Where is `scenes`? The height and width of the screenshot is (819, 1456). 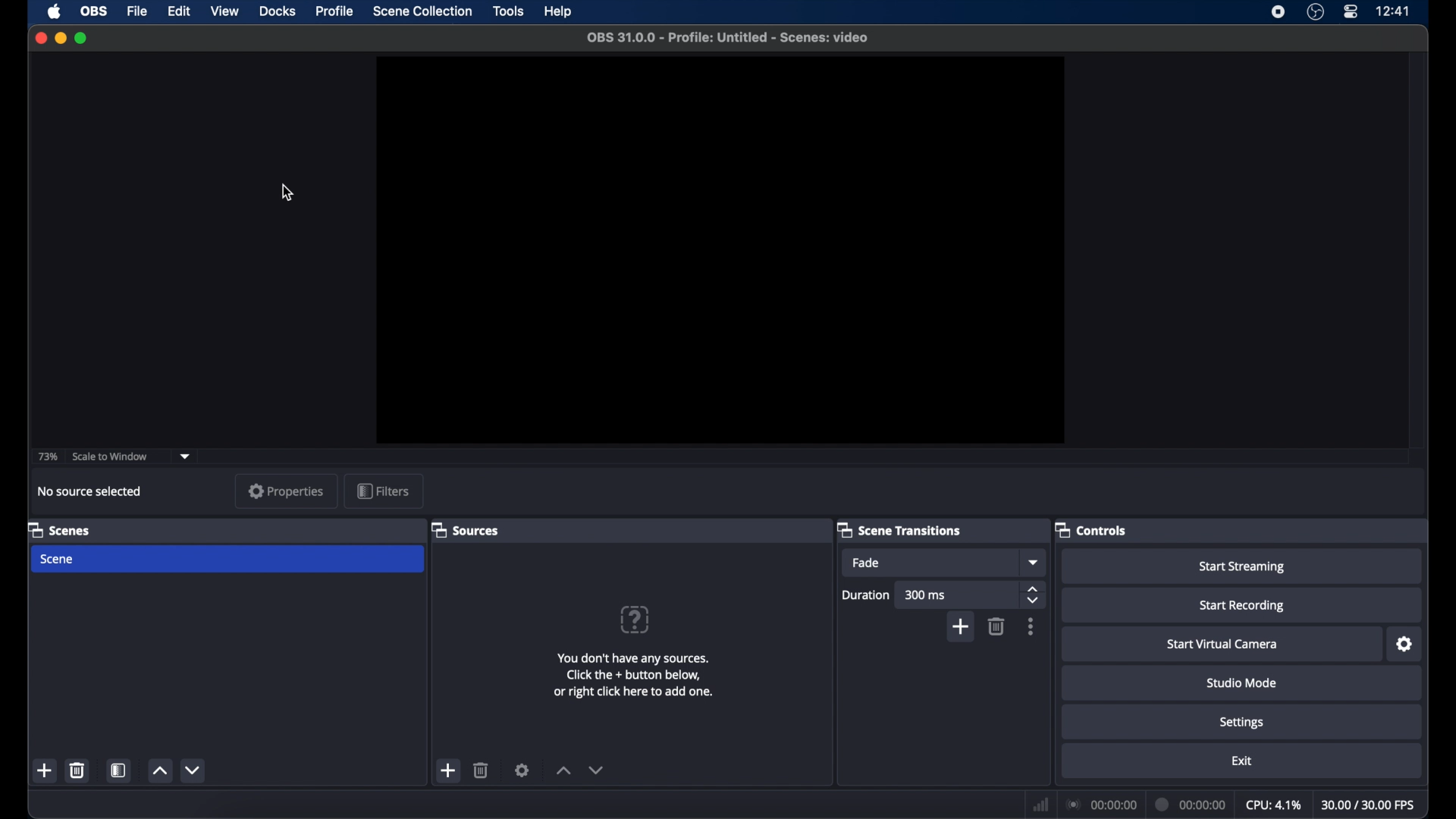
scenes is located at coordinates (60, 529).